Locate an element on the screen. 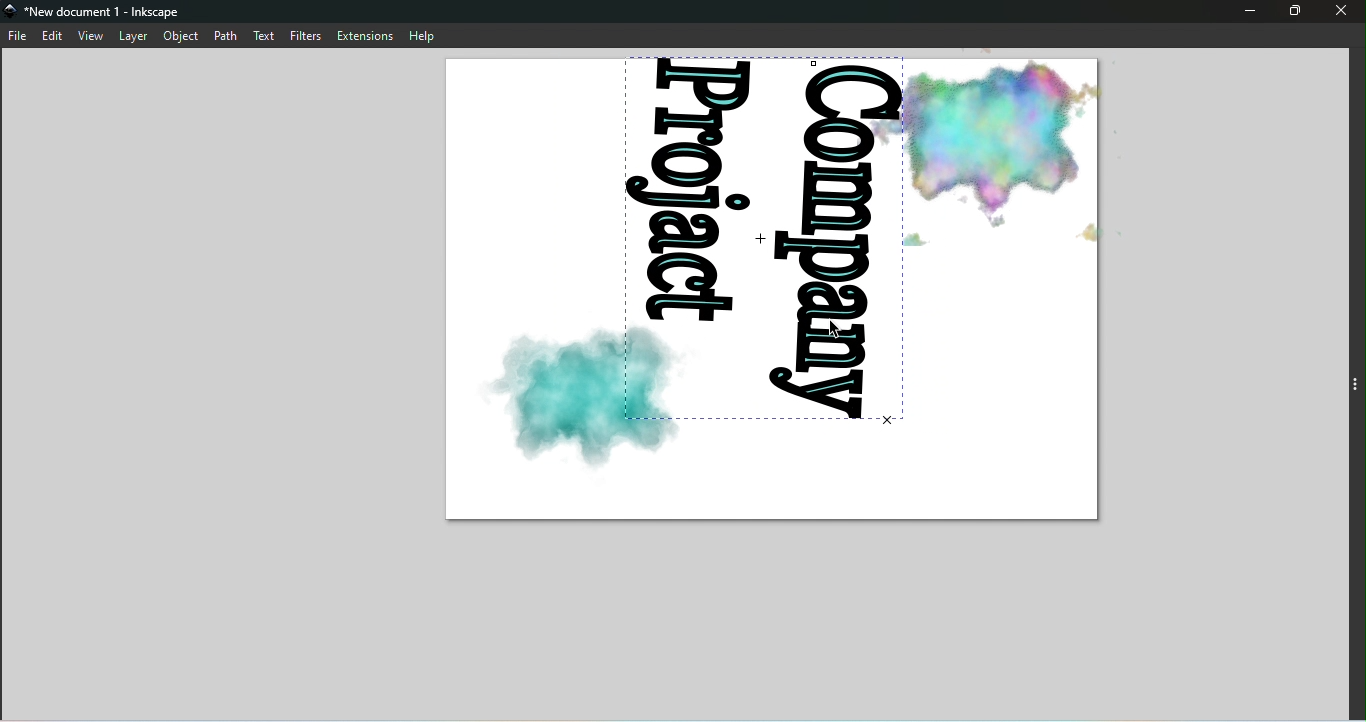  cursor is located at coordinates (840, 330).